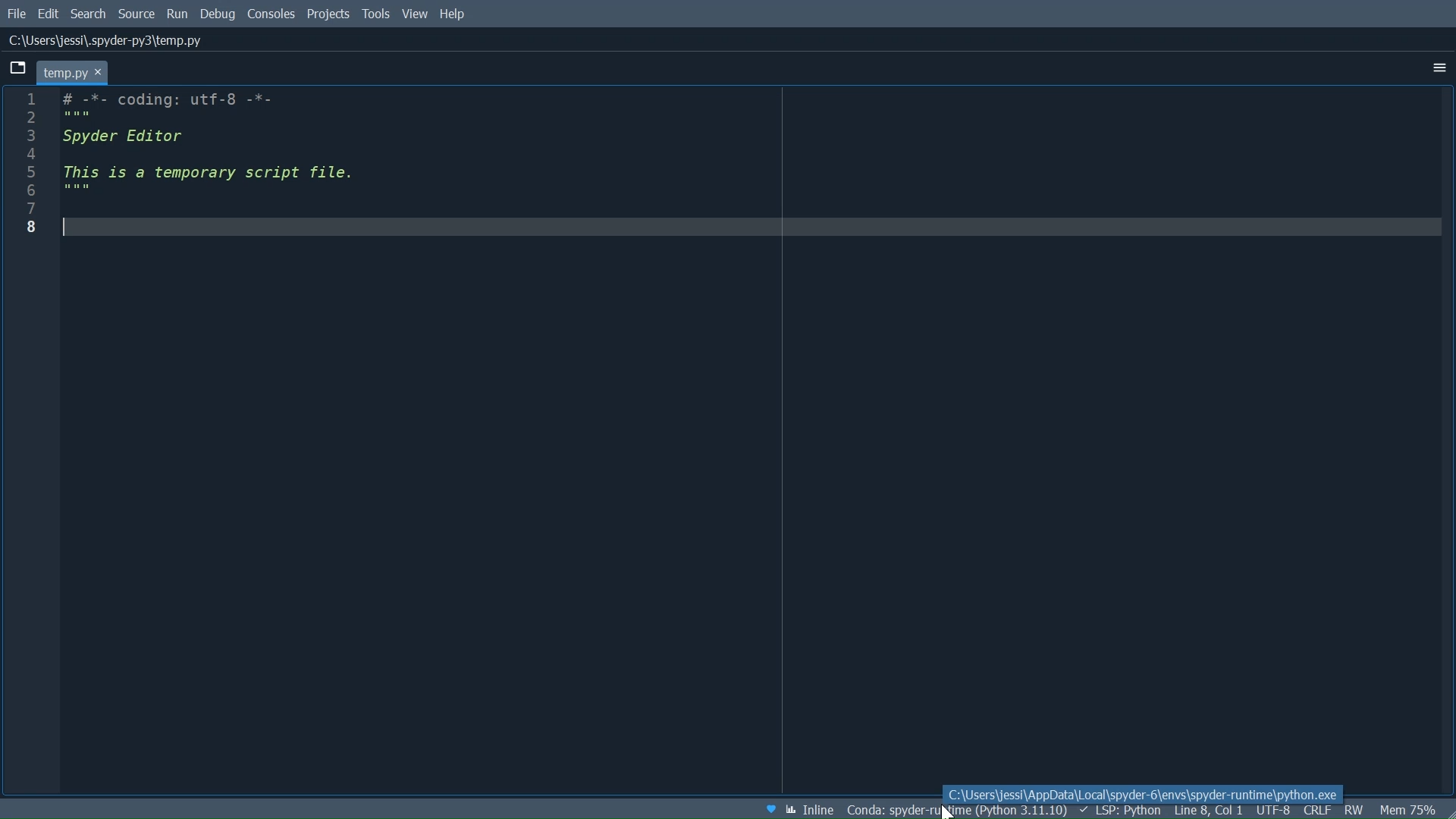  Describe the element at coordinates (48, 13) in the screenshot. I see `Edit` at that location.